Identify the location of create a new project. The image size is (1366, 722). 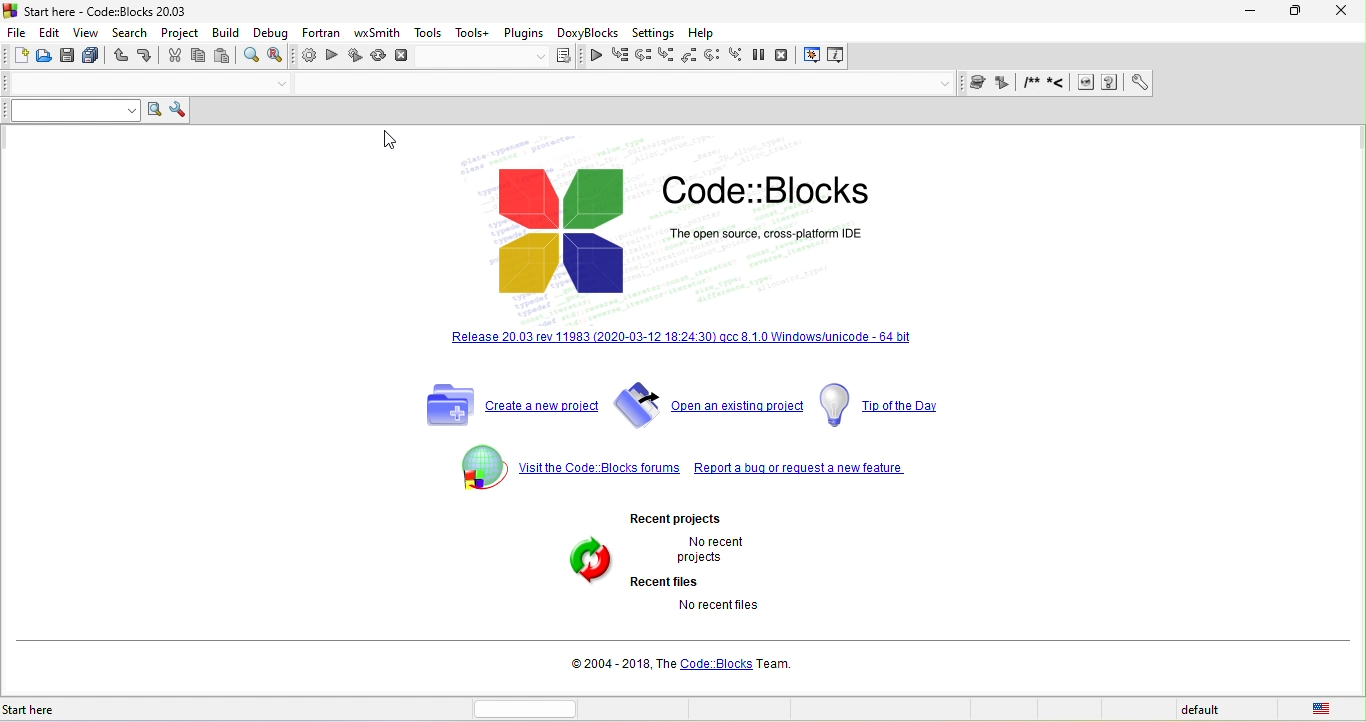
(503, 405).